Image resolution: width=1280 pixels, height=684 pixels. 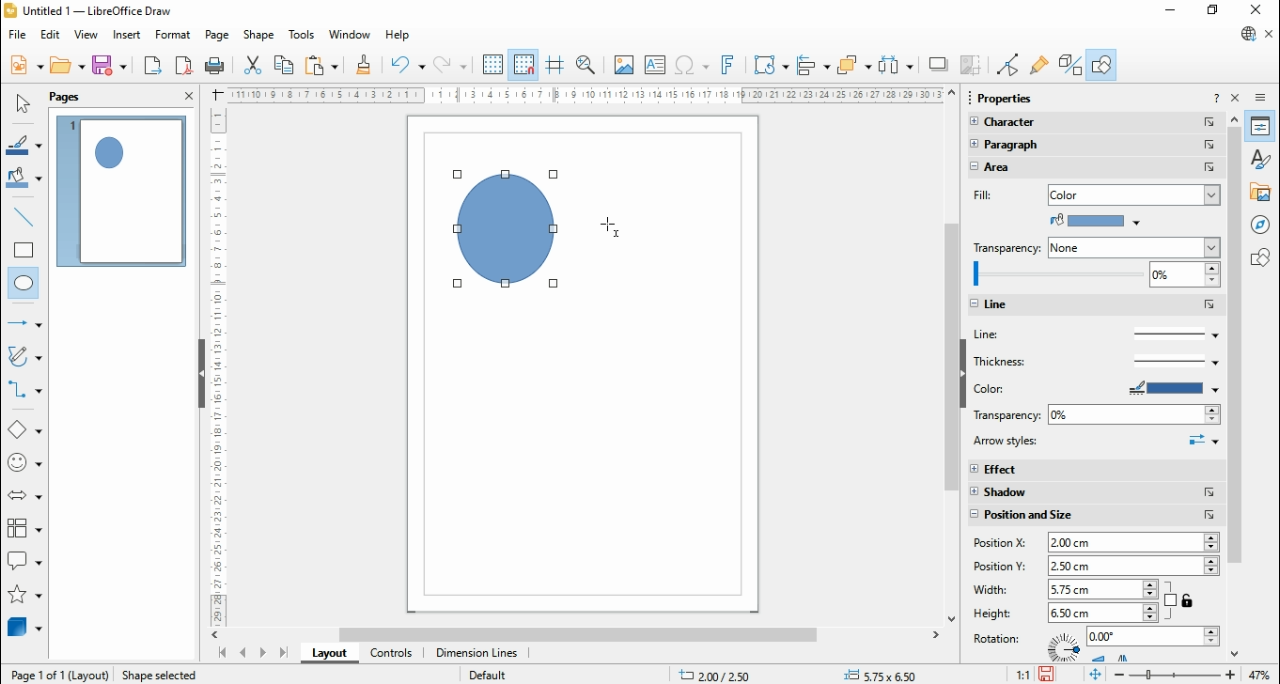 What do you see at coordinates (1096, 305) in the screenshot?
I see `line` at bounding box center [1096, 305].